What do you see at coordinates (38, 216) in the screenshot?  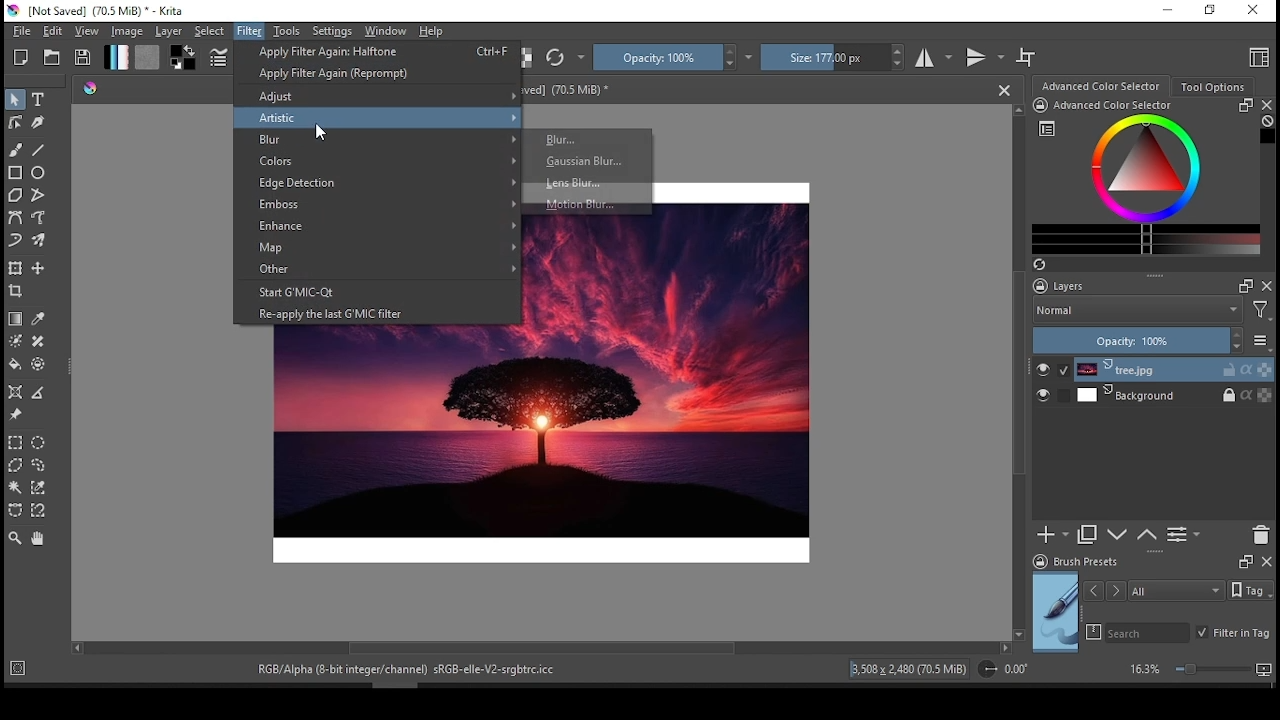 I see `freehand path tool` at bounding box center [38, 216].